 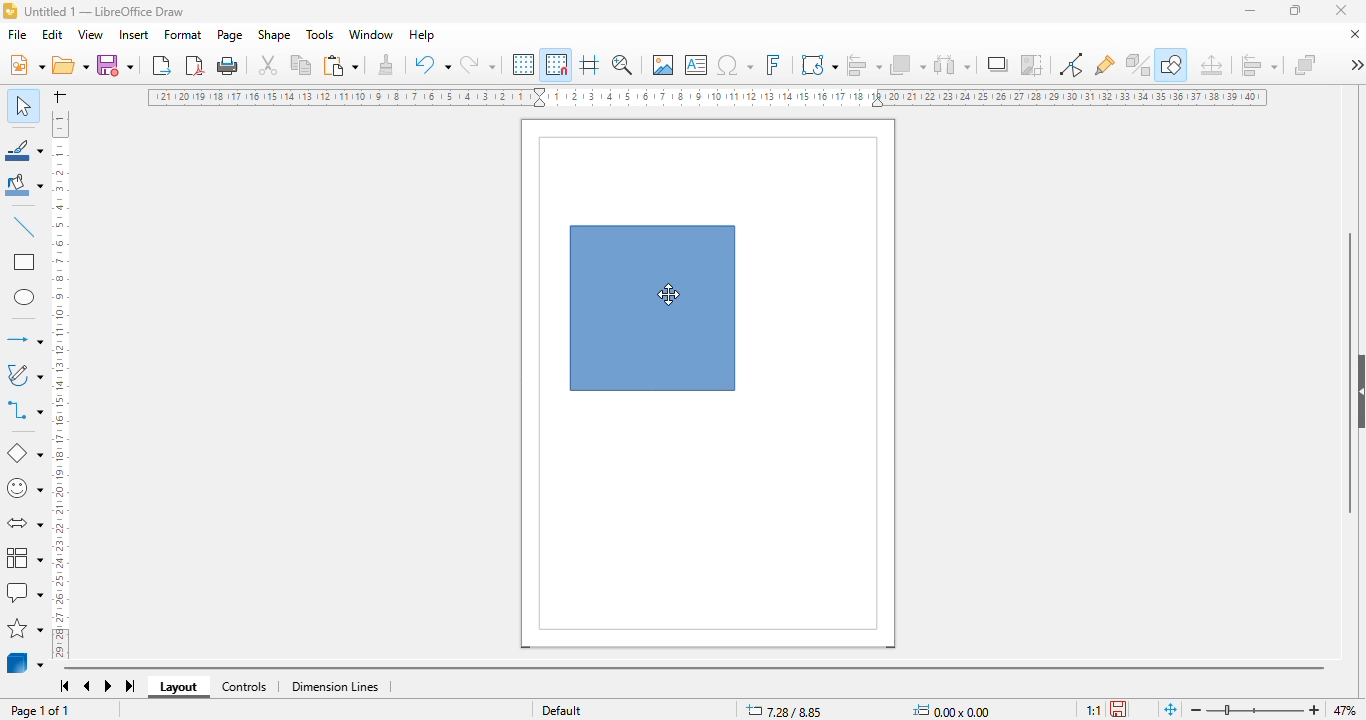 What do you see at coordinates (179, 687) in the screenshot?
I see `layout` at bounding box center [179, 687].